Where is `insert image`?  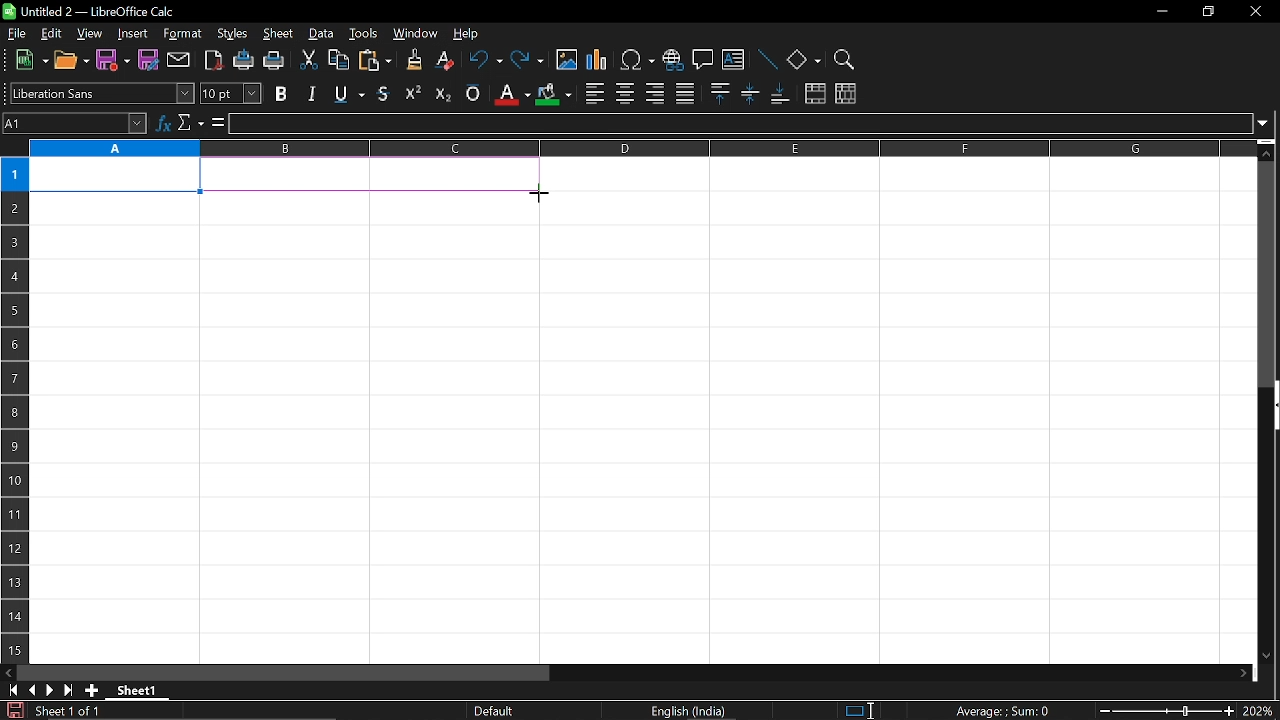
insert image is located at coordinates (566, 61).